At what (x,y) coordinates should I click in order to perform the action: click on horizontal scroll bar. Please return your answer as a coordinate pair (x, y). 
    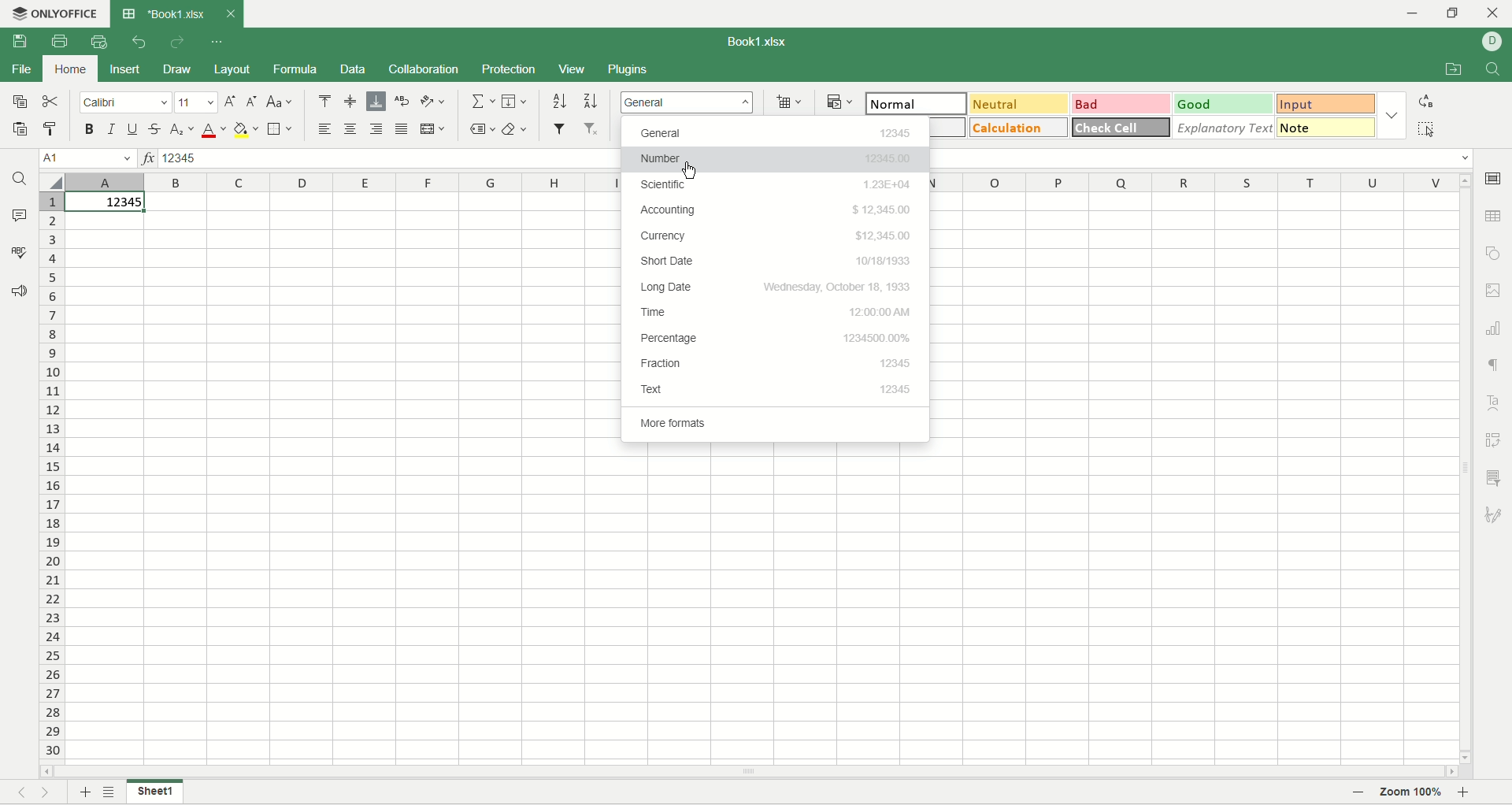
    Looking at the image, I should click on (747, 770).